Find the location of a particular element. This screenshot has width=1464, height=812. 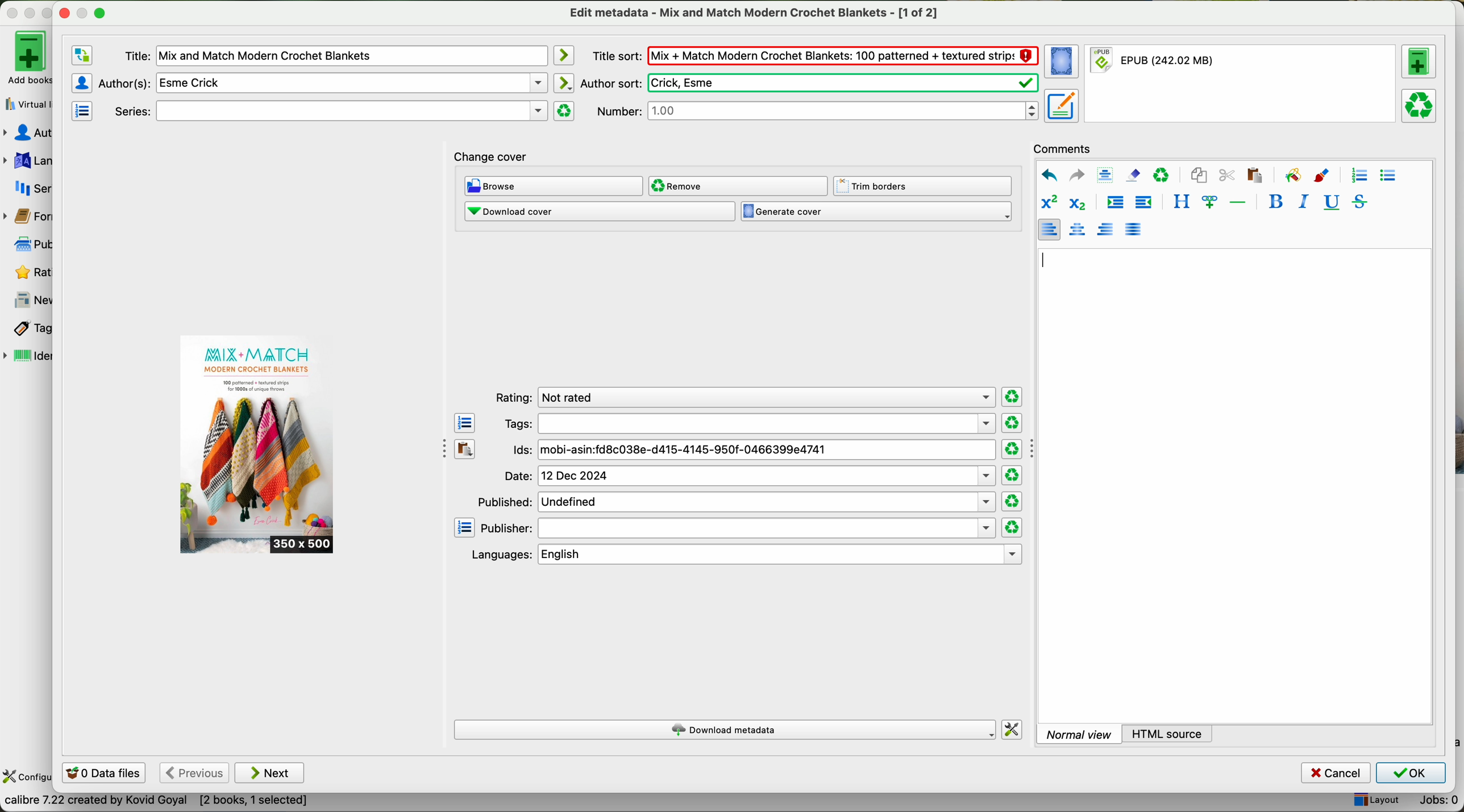

languages is located at coordinates (27, 161).